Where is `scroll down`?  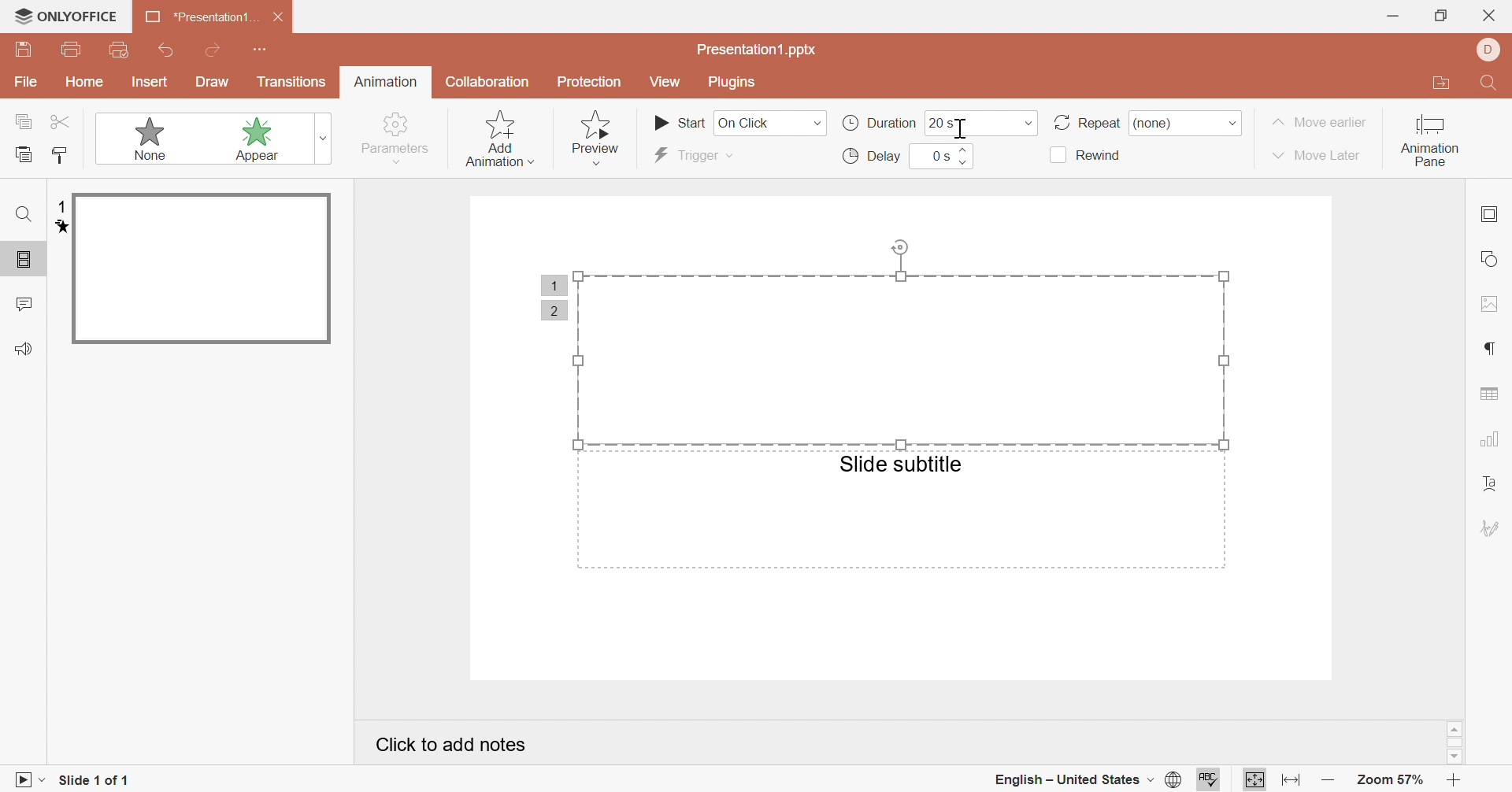
scroll down is located at coordinates (1455, 757).